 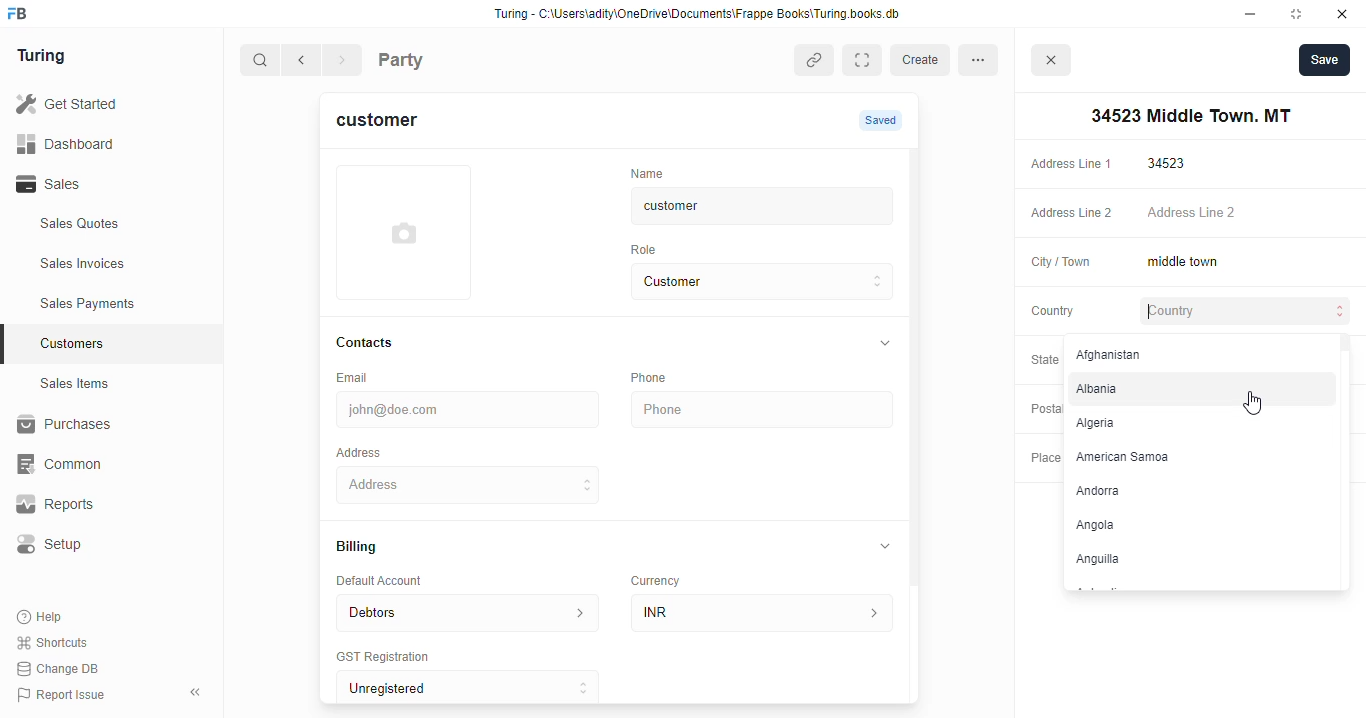 What do you see at coordinates (1070, 162) in the screenshot?
I see `Address Line 1` at bounding box center [1070, 162].